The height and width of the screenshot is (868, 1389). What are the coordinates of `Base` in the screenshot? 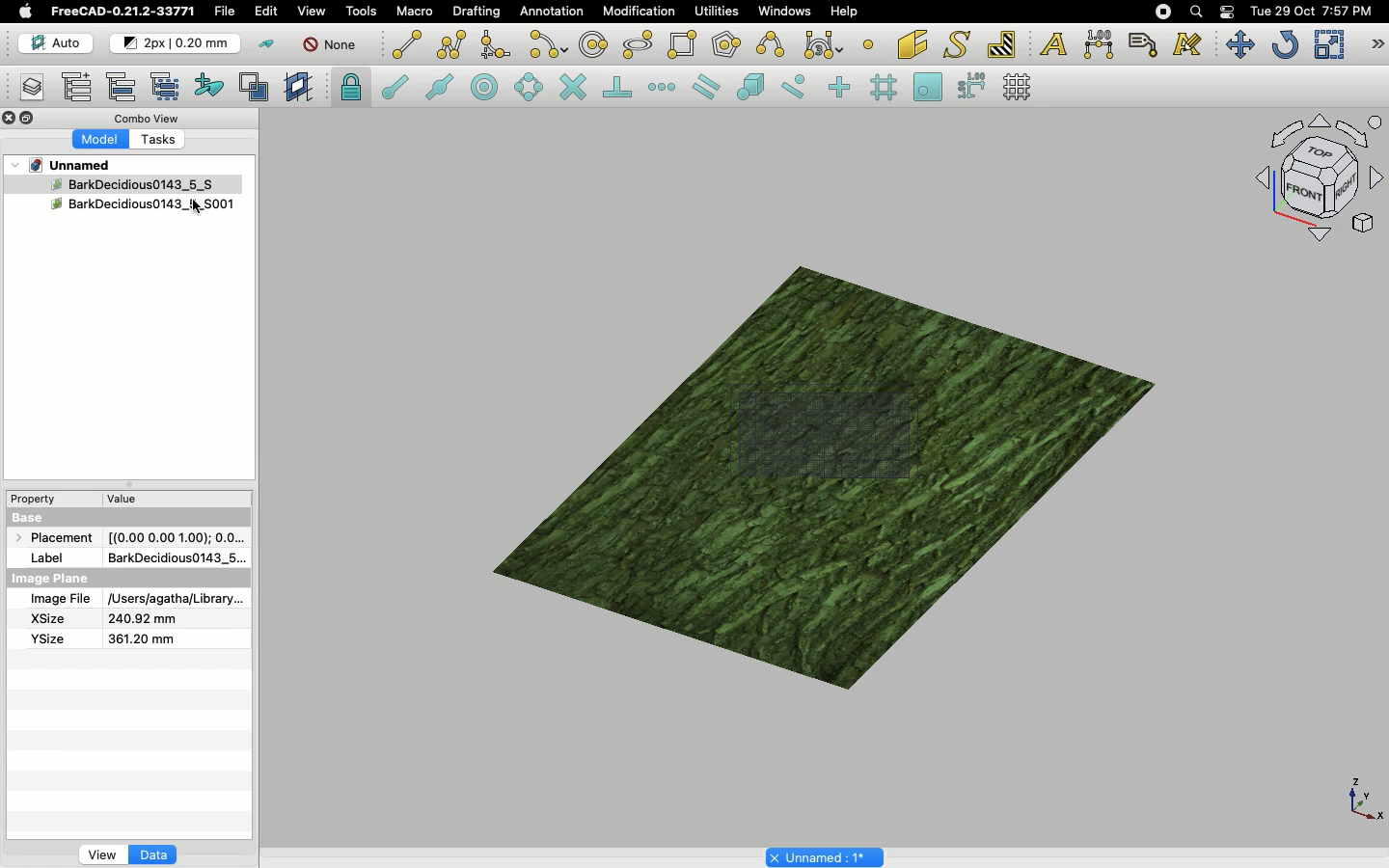 It's located at (31, 516).